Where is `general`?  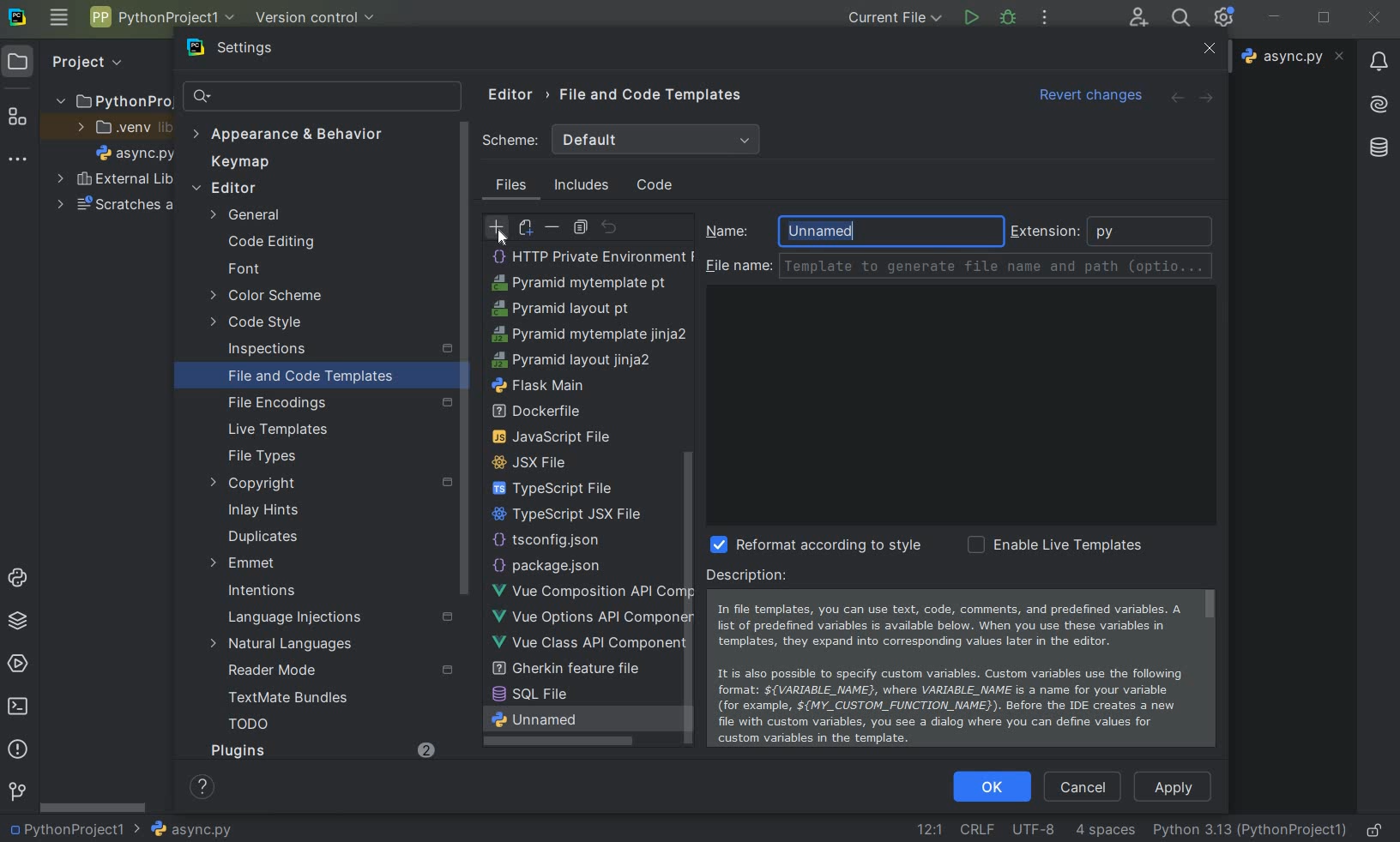
general is located at coordinates (250, 215).